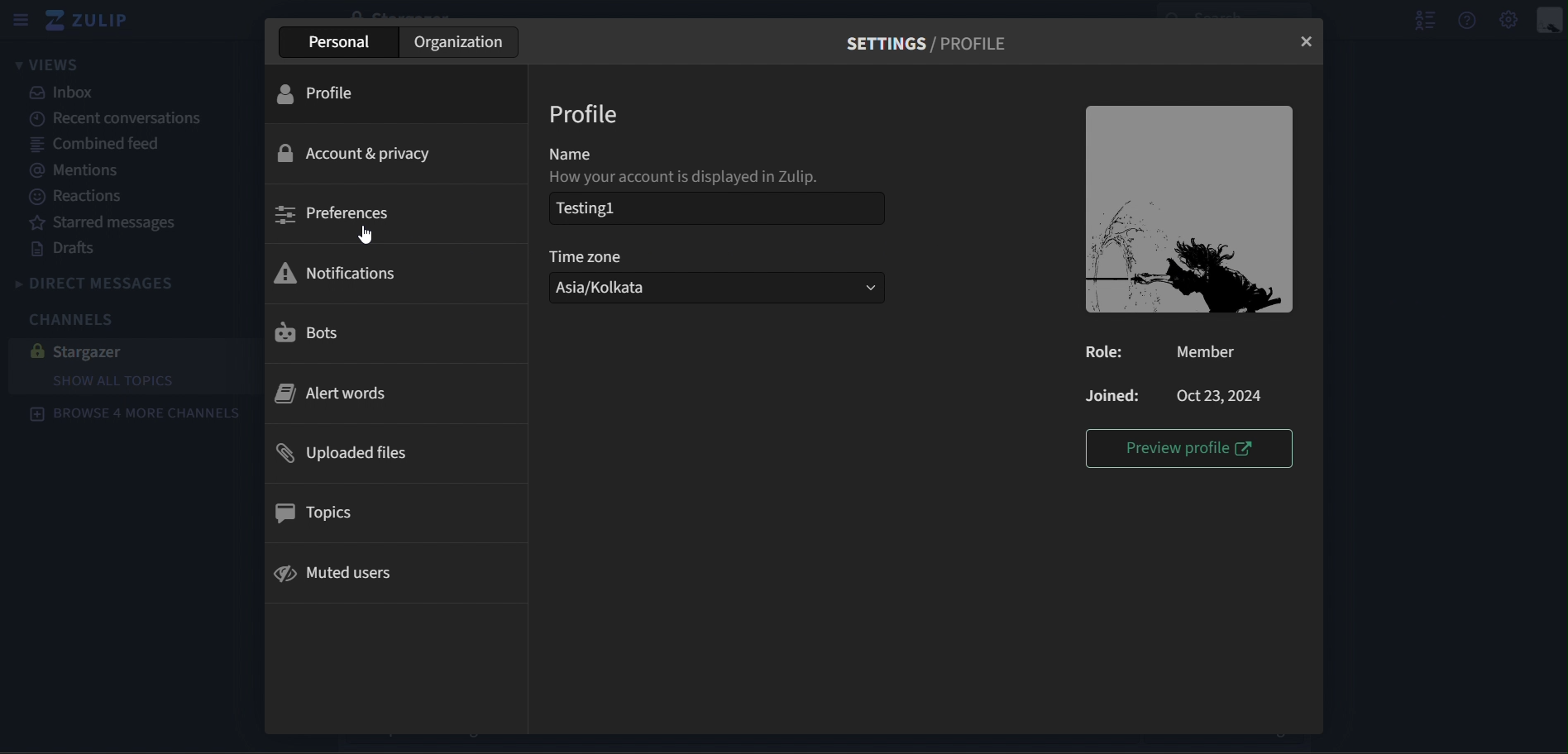 Image resolution: width=1568 pixels, height=754 pixels. Describe the element at coordinates (367, 236) in the screenshot. I see `cursor` at that location.